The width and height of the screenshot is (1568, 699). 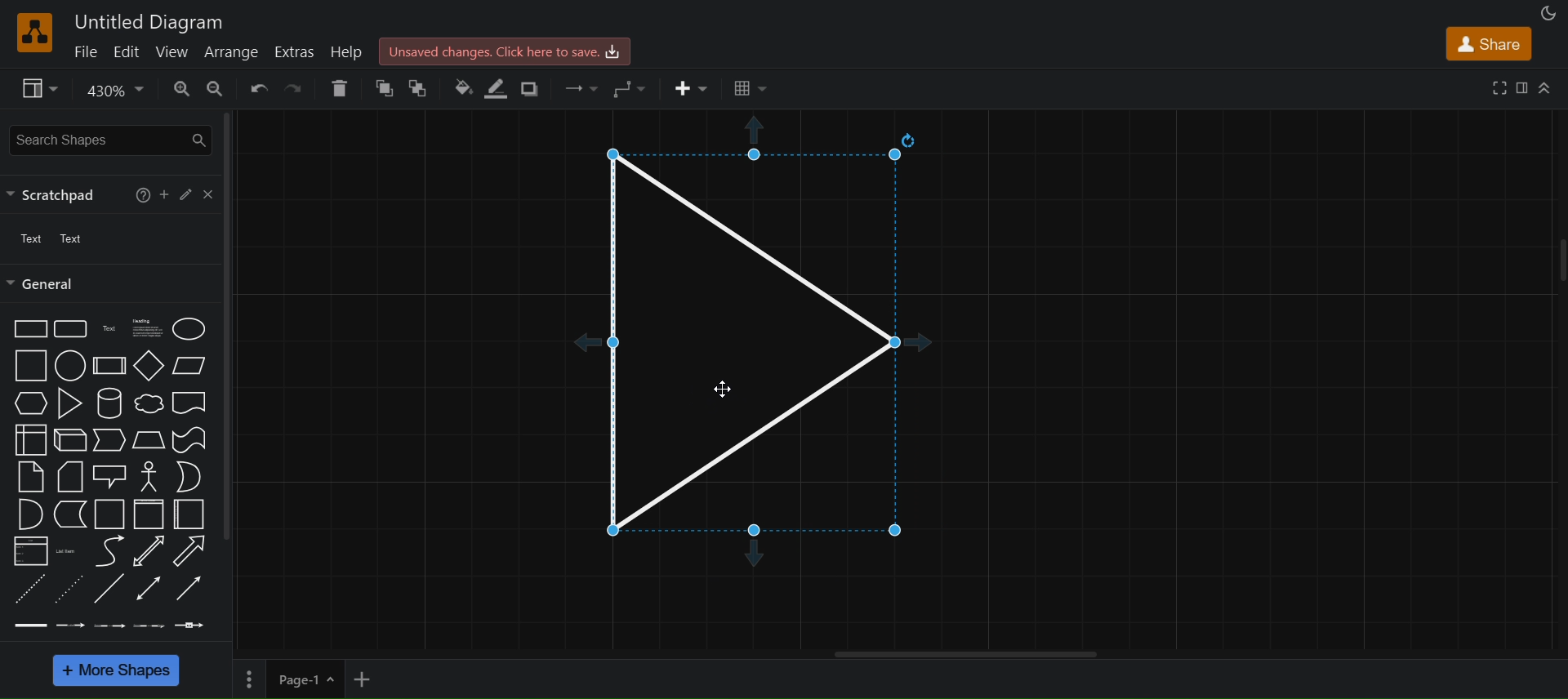 What do you see at coordinates (751, 89) in the screenshot?
I see `Table` at bounding box center [751, 89].